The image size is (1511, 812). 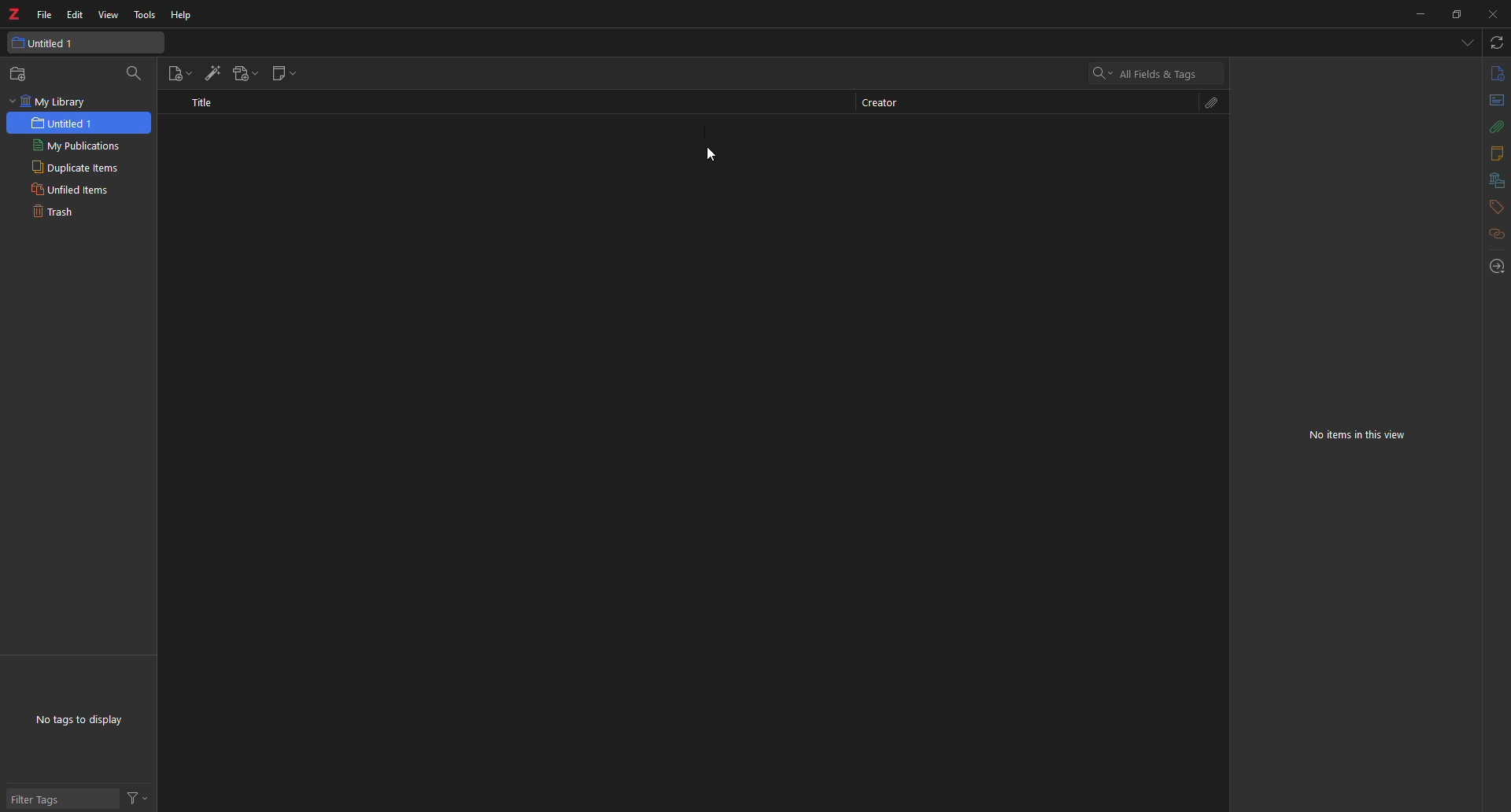 I want to click on cursor, so click(x=713, y=158).